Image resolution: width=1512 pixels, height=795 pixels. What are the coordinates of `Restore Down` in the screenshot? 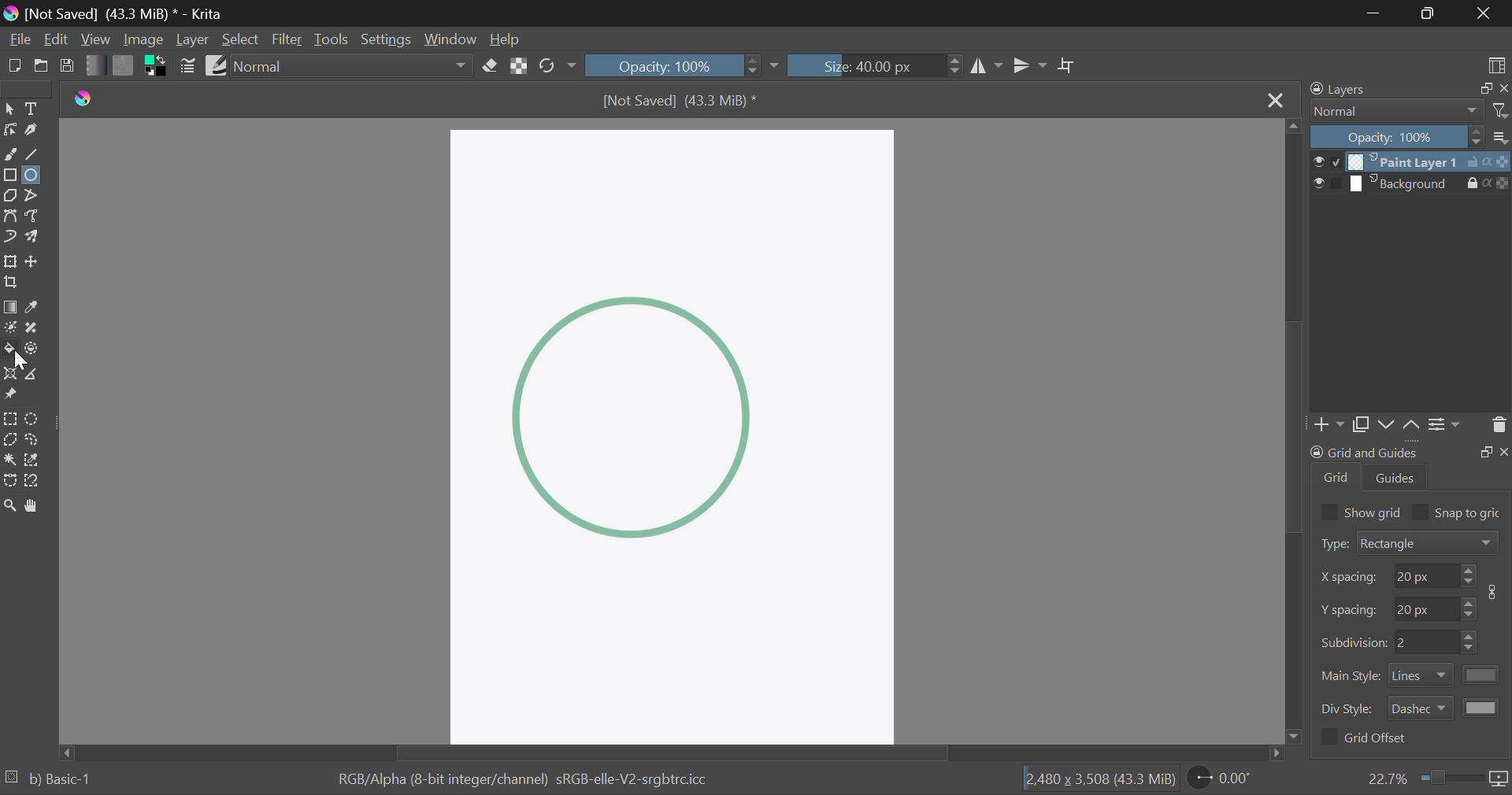 It's located at (1375, 13).